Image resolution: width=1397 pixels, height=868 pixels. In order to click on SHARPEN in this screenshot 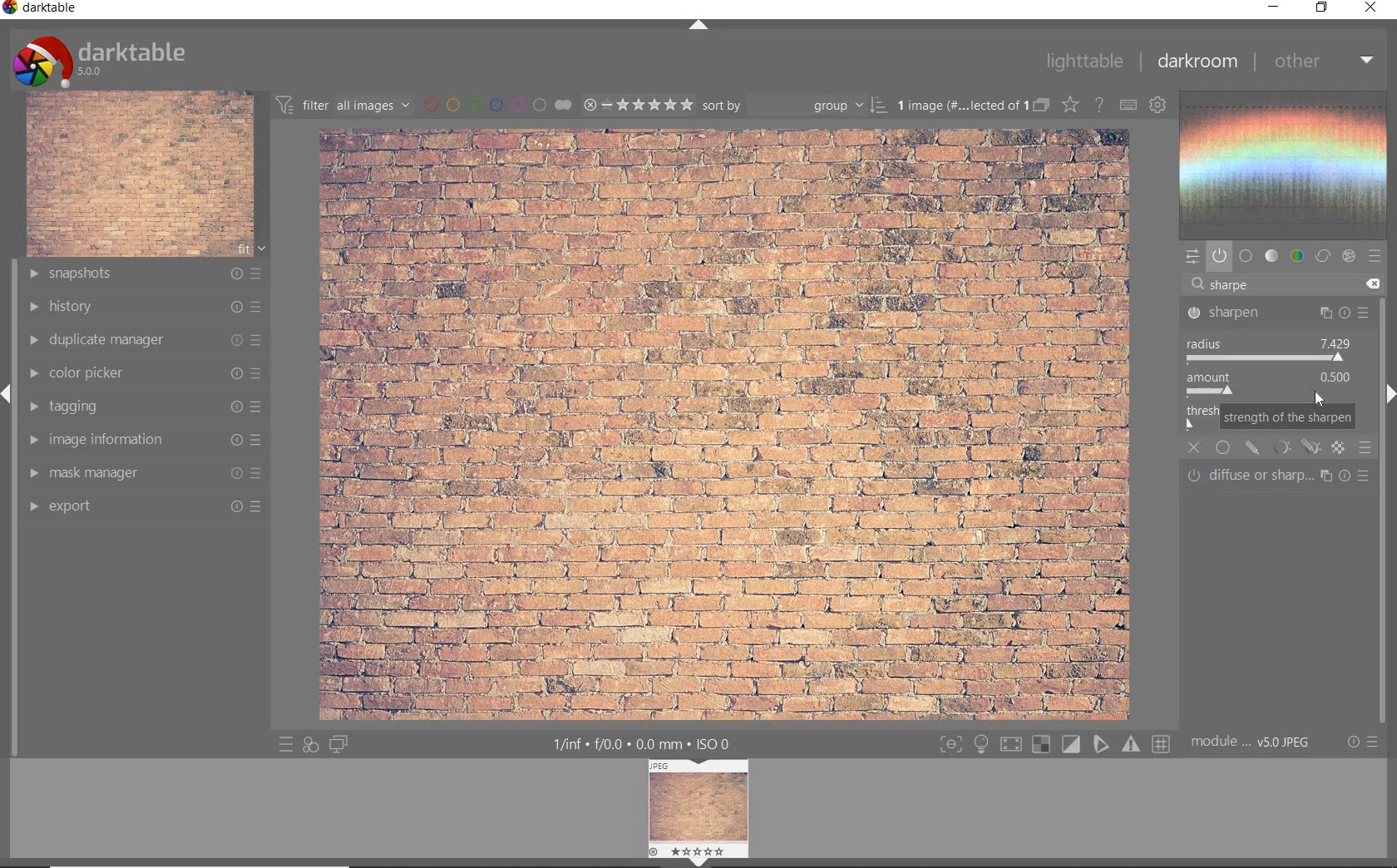, I will do `click(1252, 285)`.